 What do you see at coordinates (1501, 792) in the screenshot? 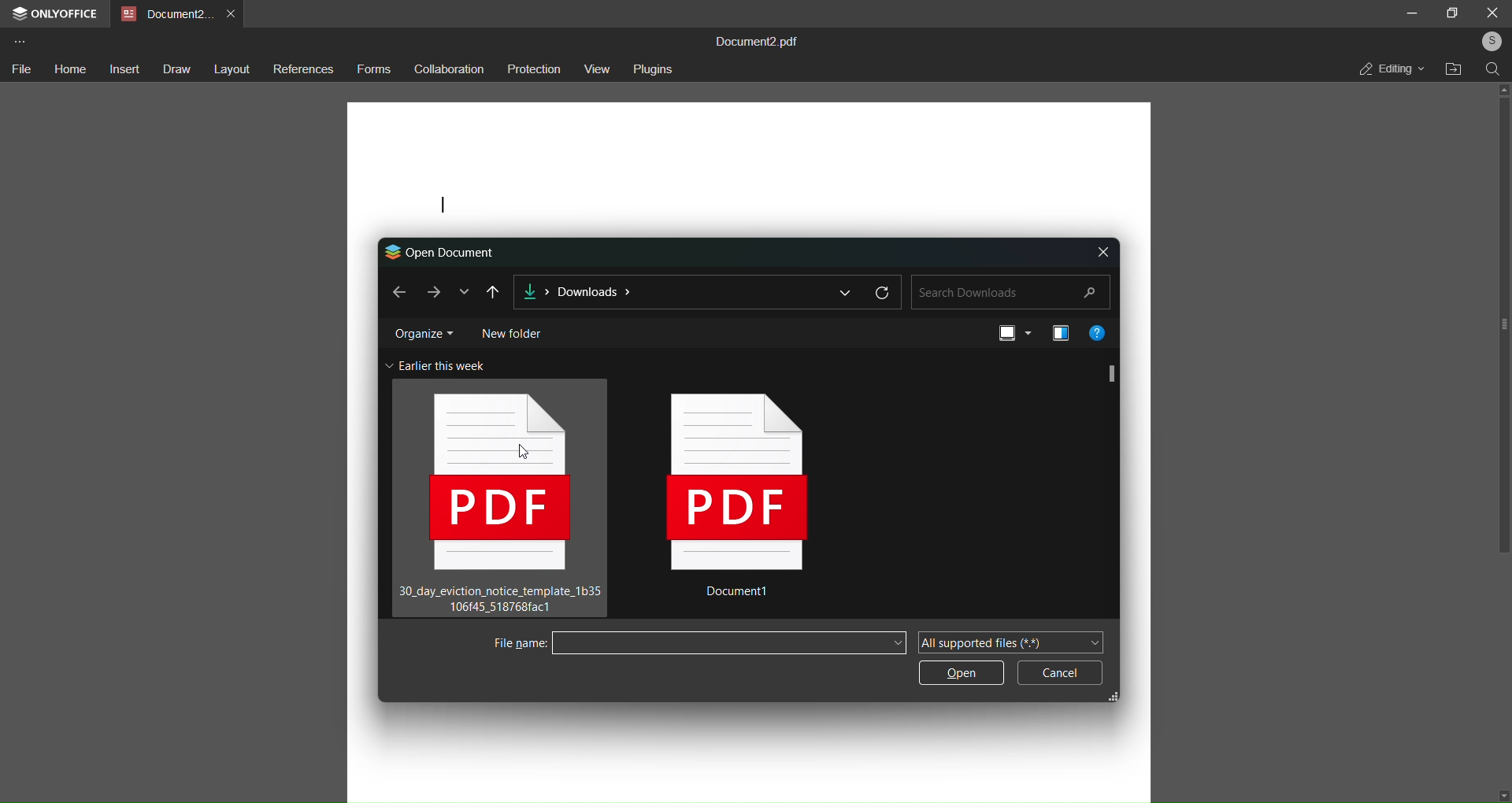
I see `down` at bounding box center [1501, 792].